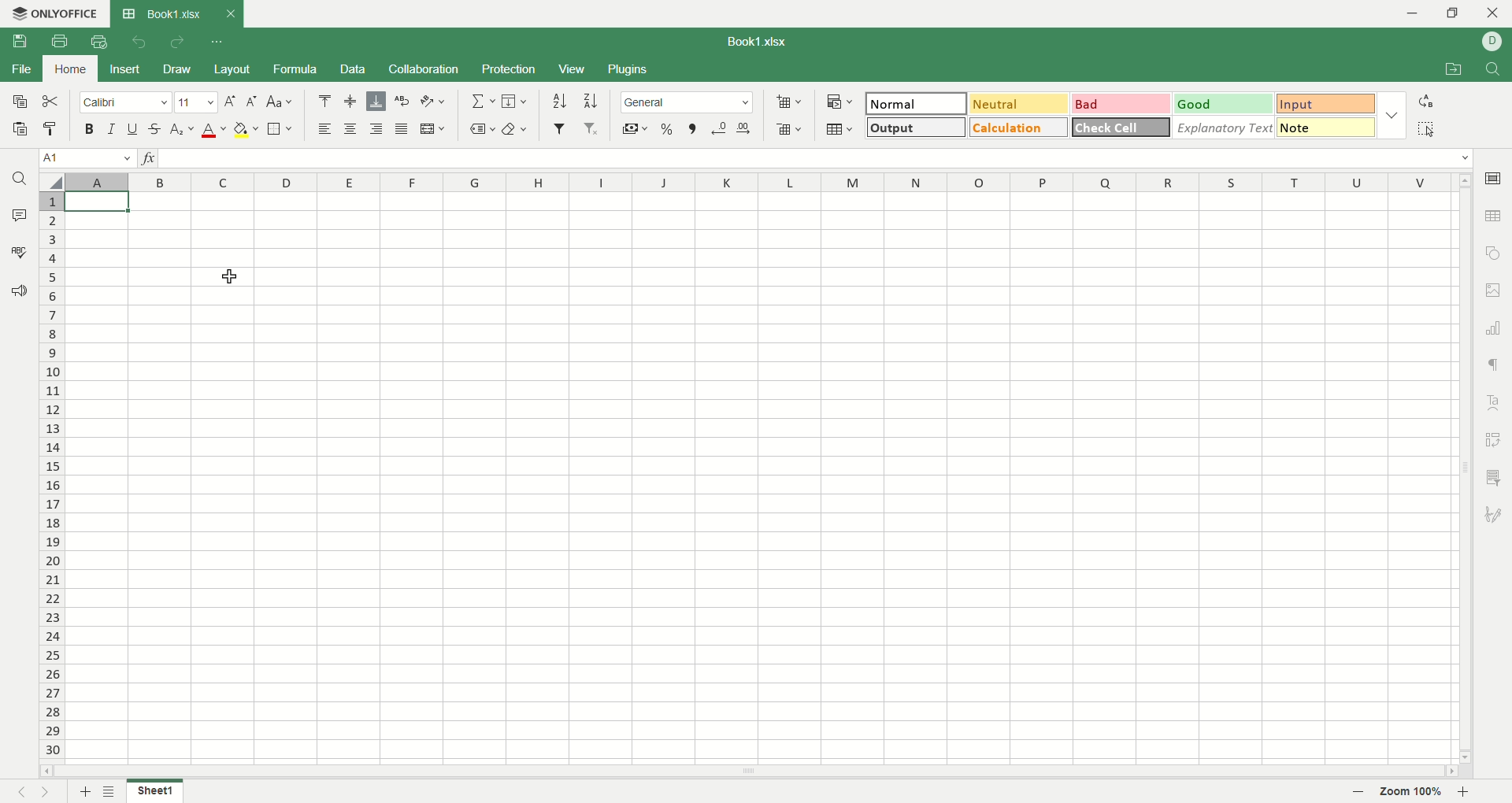  Describe the element at coordinates (233, 68) in the screenshot. I see `layout` at that location.